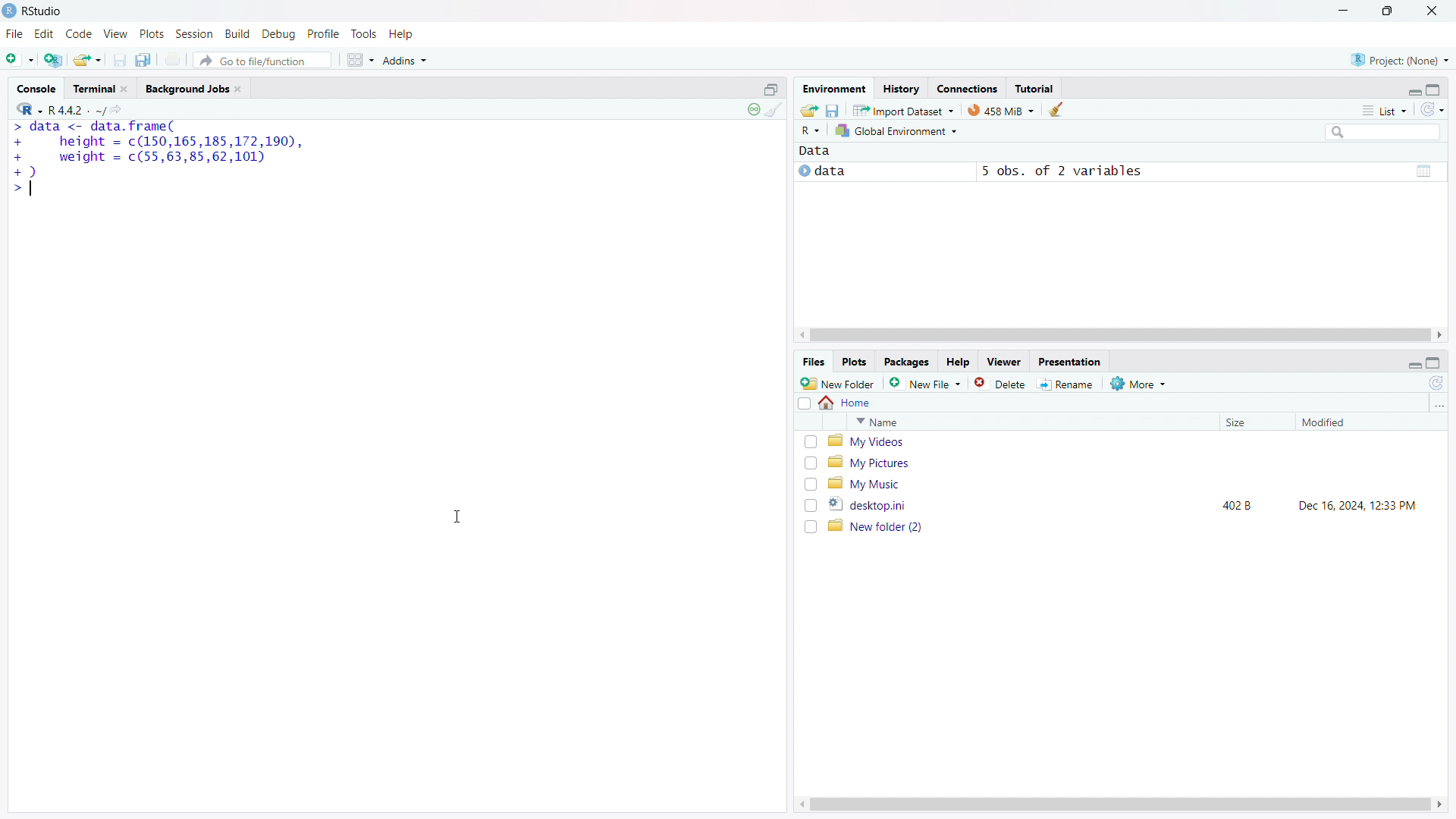  I want to click on select programming langugae, so click(811, 130).